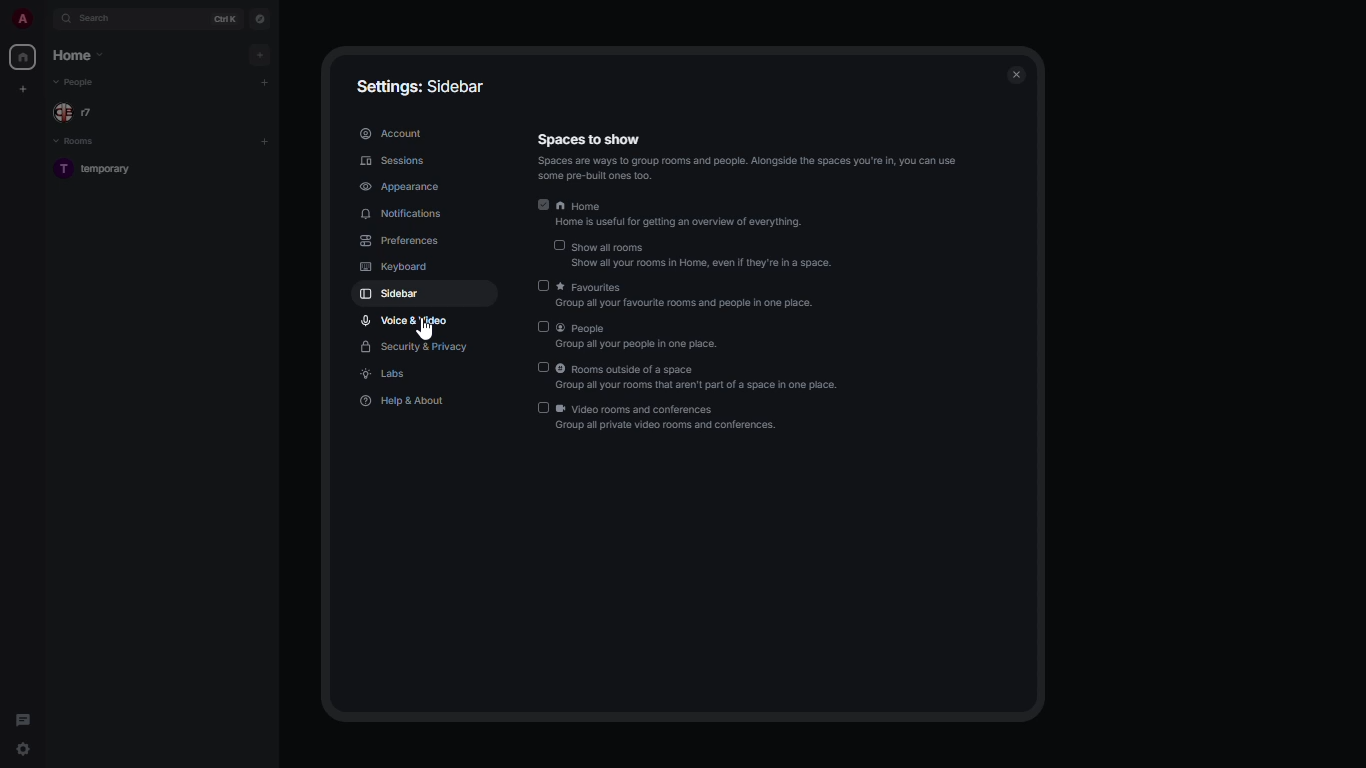  What do you see at coordinates (77, 142) in the screenshot?
I see `rooms` at bounding box center [77, 142].